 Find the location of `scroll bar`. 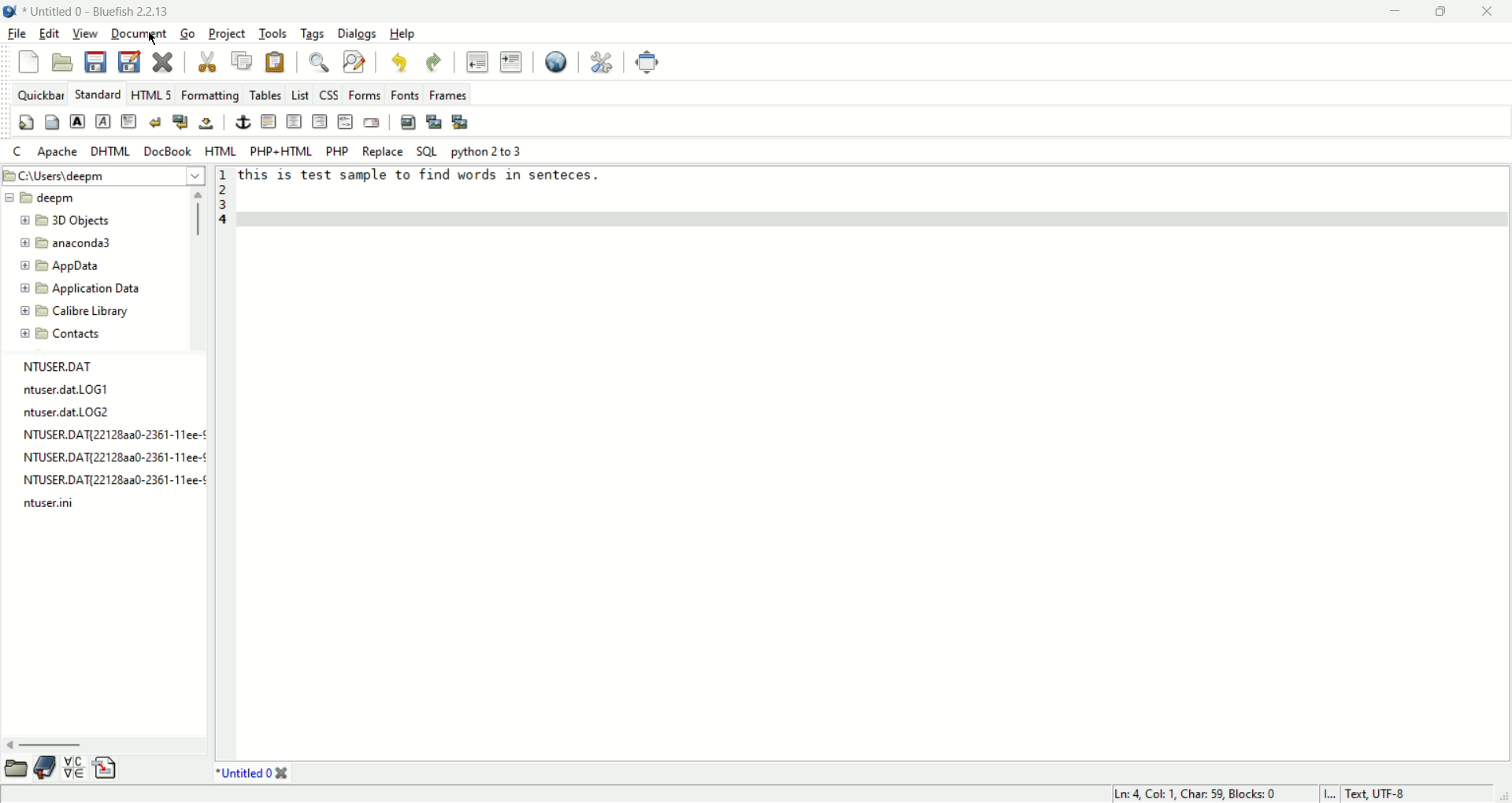

scroll bar is located at coordinates (104, 744).